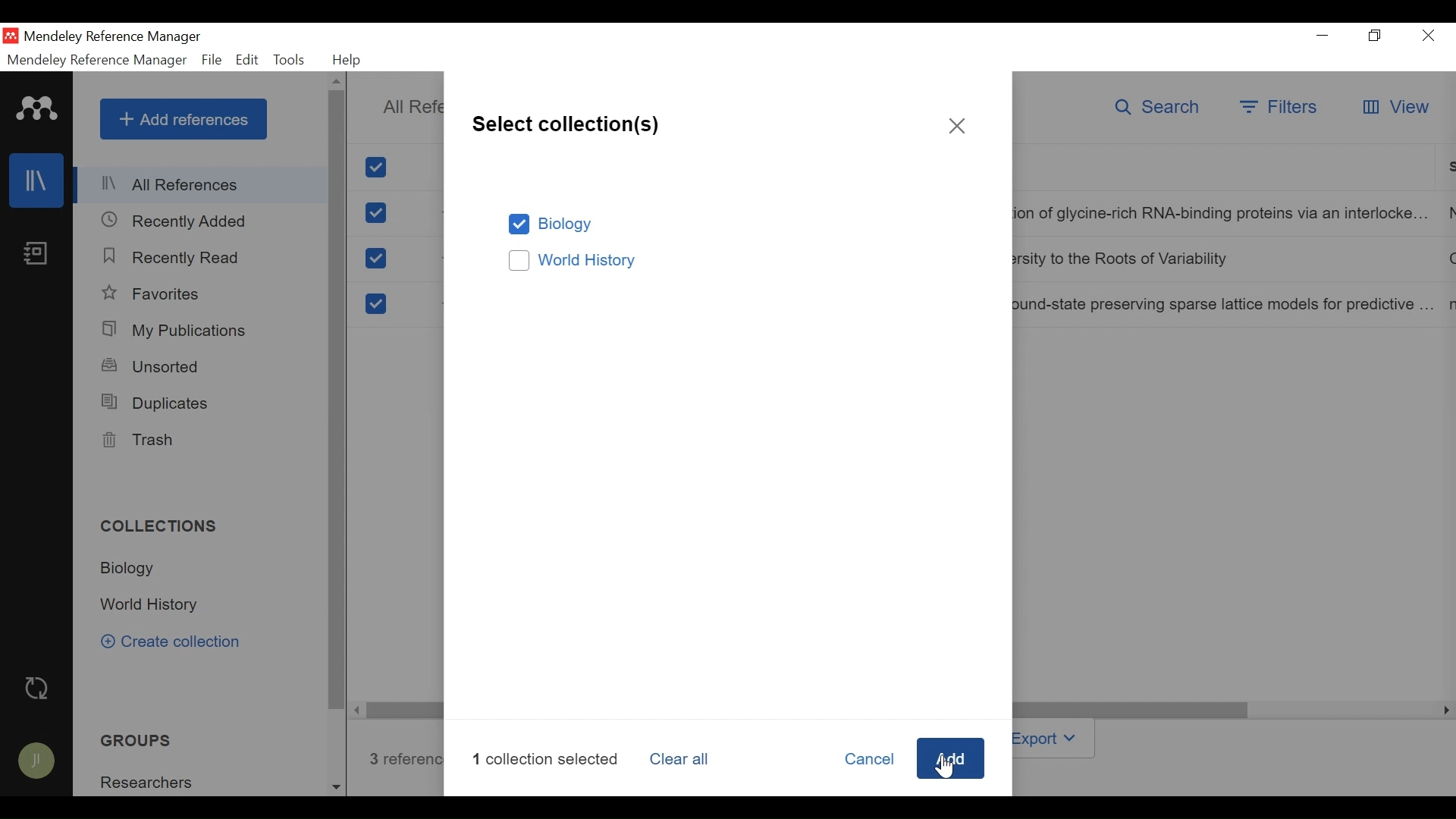  Describe the element at coordinates (37, 689) in the screenshot. I see `Sync` at that location.